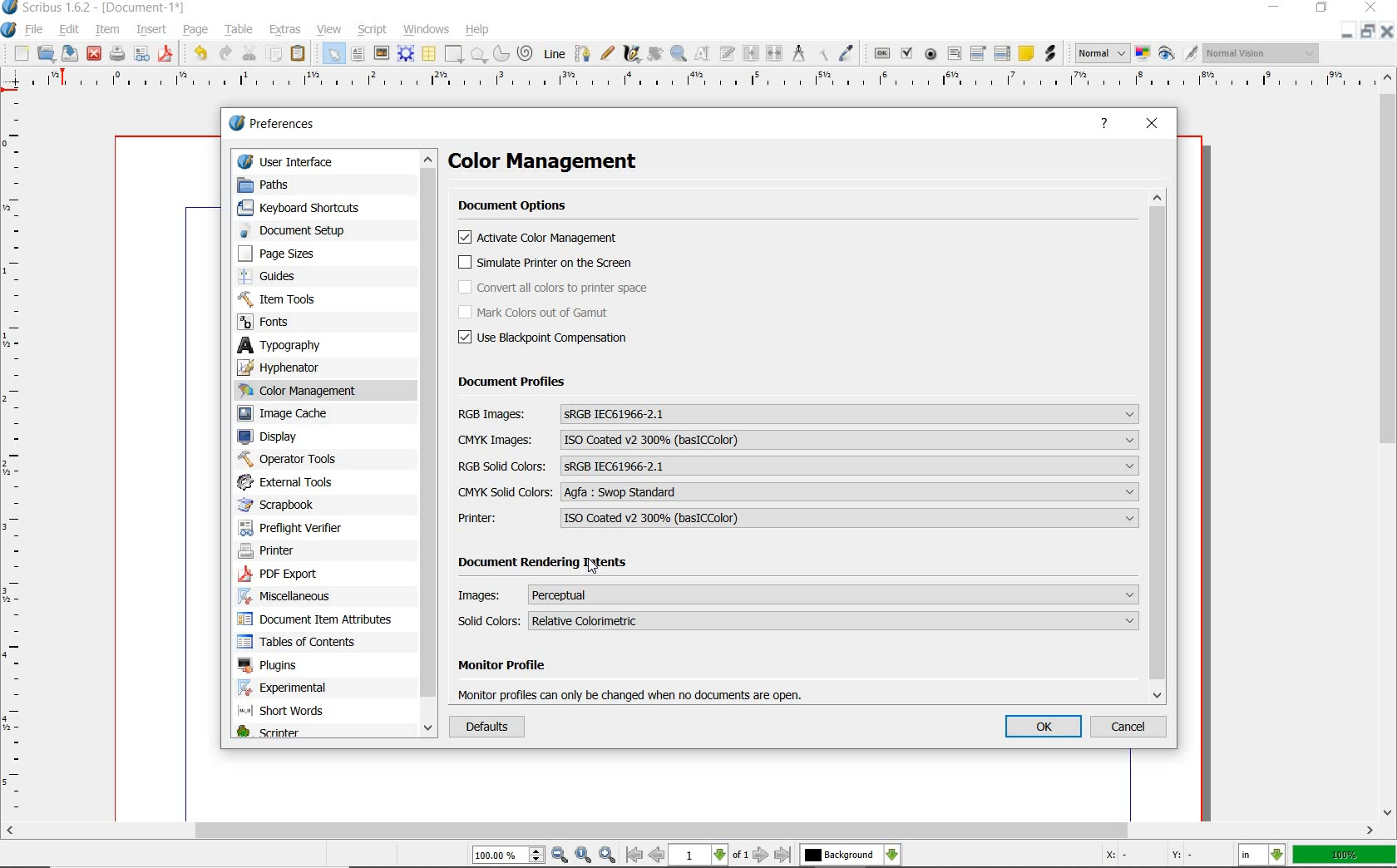 This screenshot has height=868, width=1397. I want to click on Use Blackpoint compensation, so click(549, 338).